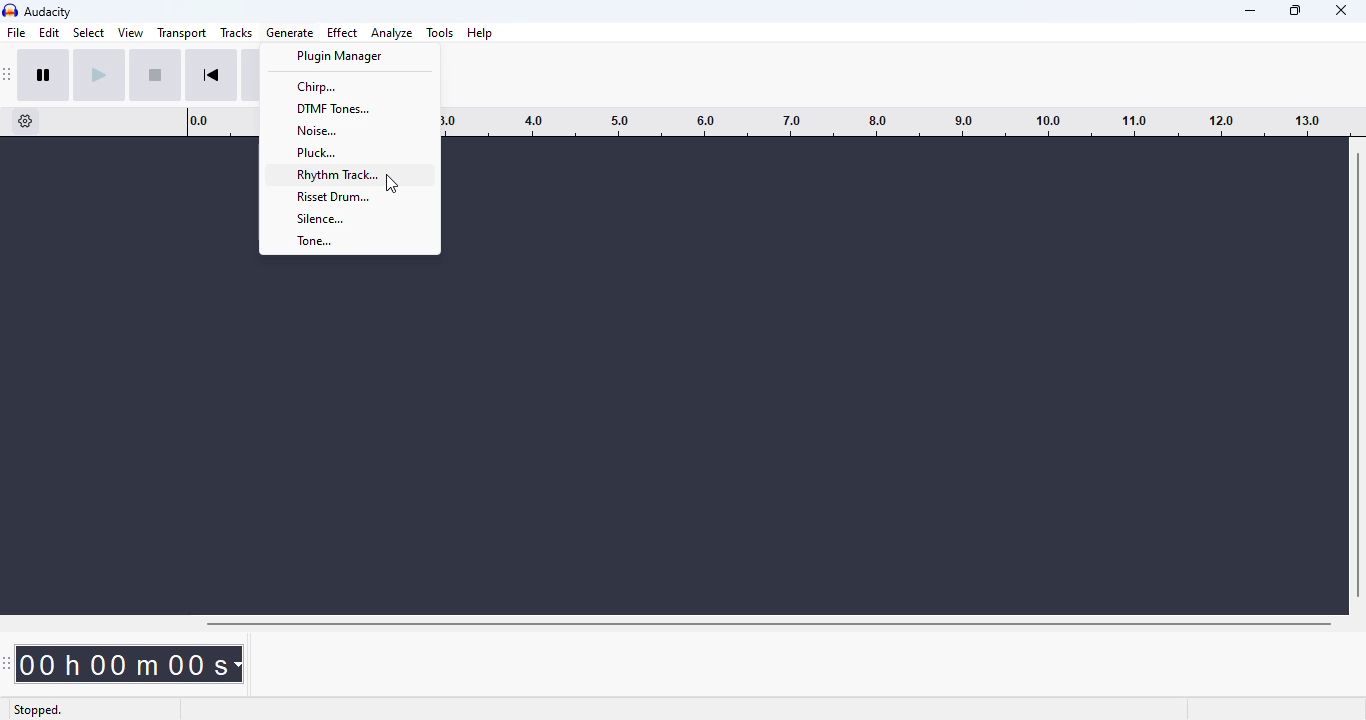 This screenshot has height=720, width=1366. What do you see at coordinates (181, 33) in the screenshot?
I see `transport` at bounding box center [181, 33].